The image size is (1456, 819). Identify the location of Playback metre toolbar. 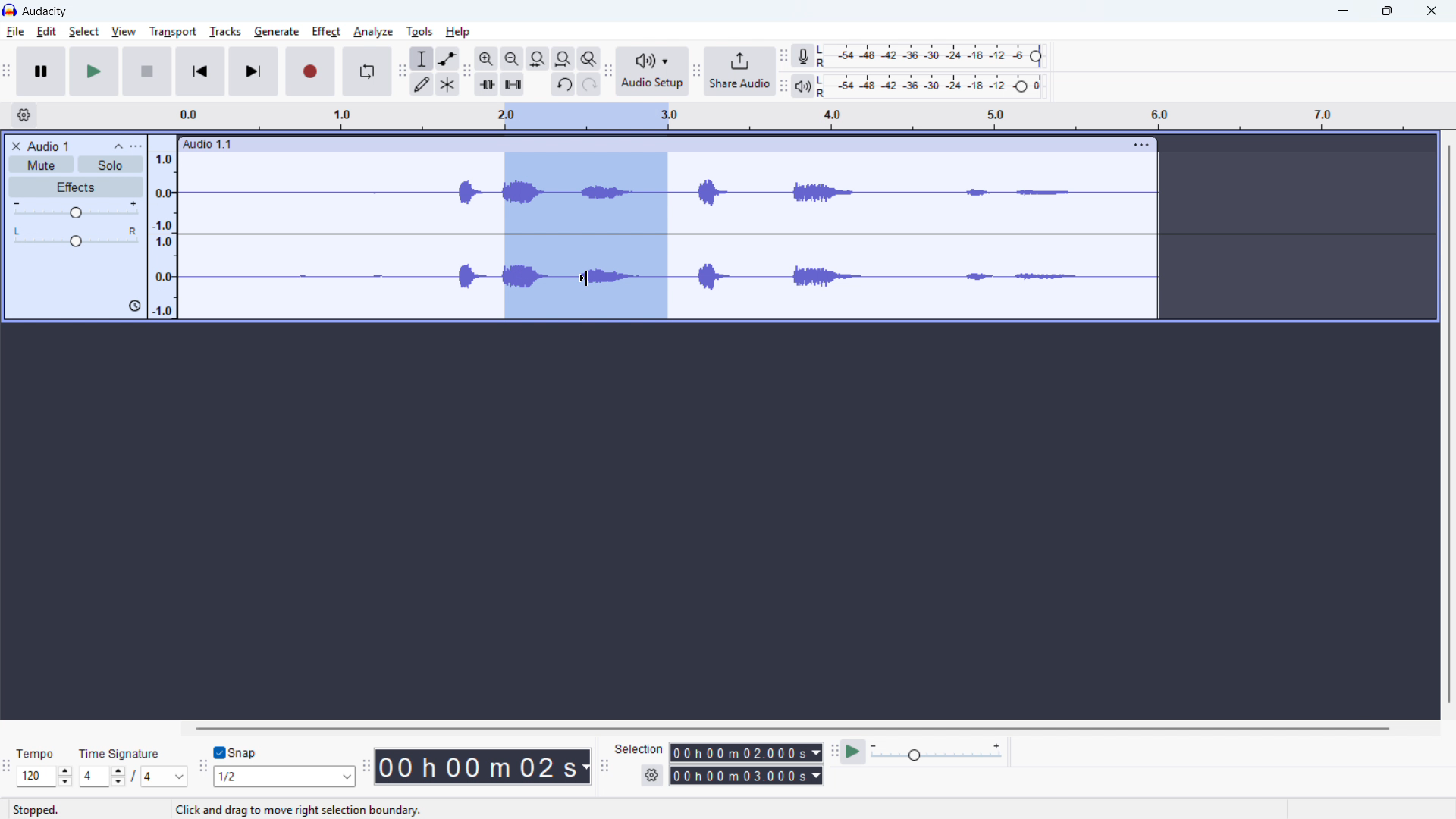
(783, 86).